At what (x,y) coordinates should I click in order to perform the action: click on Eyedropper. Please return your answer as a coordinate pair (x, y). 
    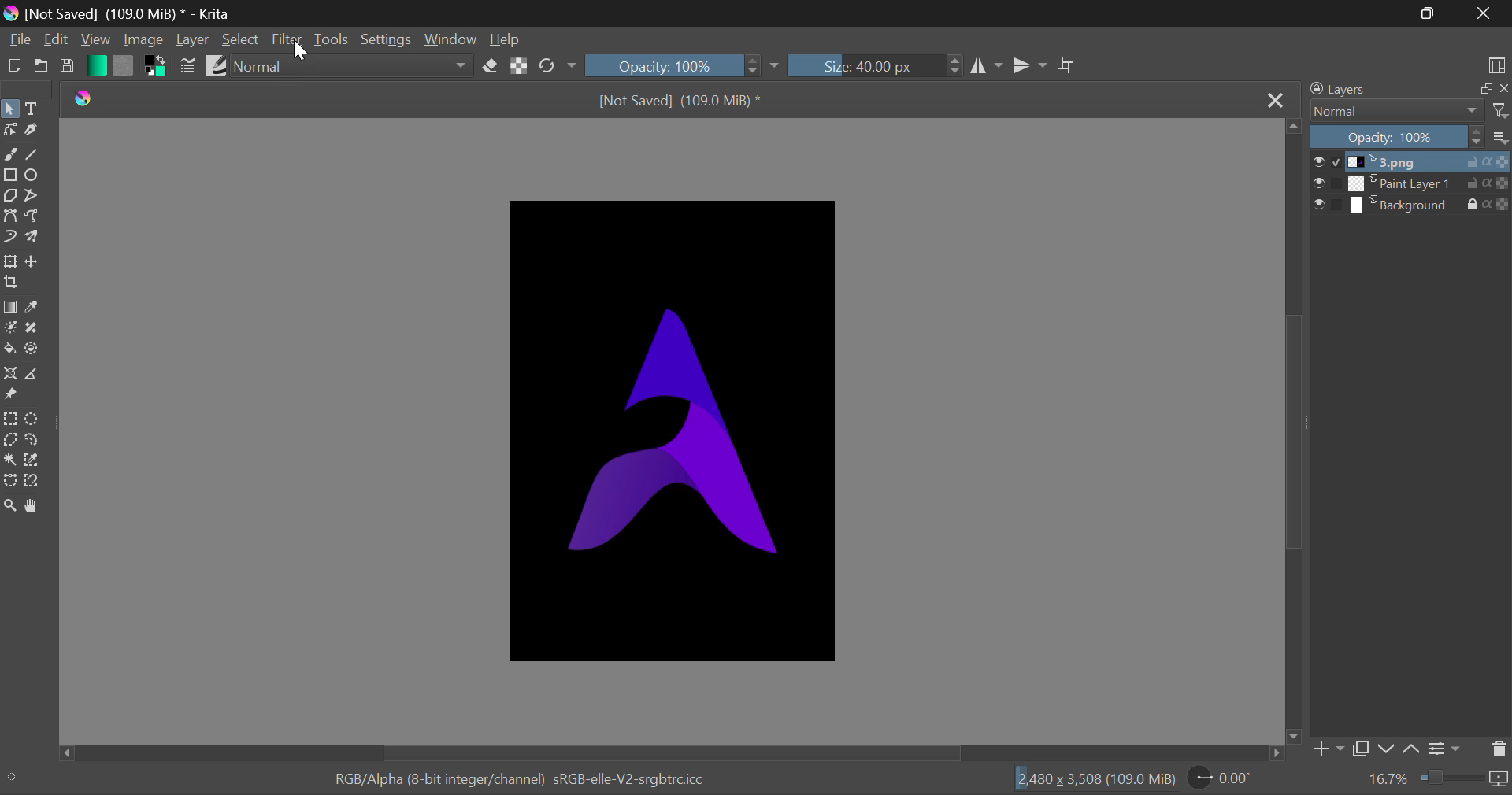
    Looking at the image, I should click on (35, 307).